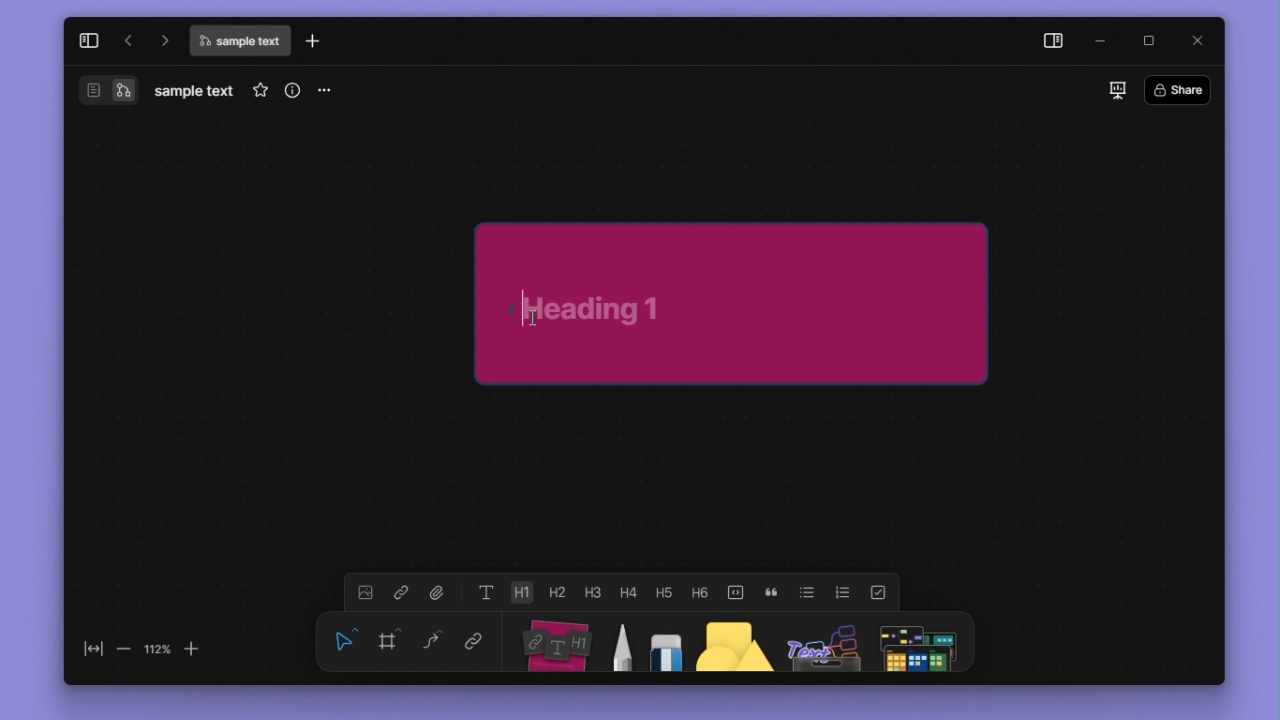  Describe the element at coordinates (432, 639) in the screenshot. I see `curve` at that location.